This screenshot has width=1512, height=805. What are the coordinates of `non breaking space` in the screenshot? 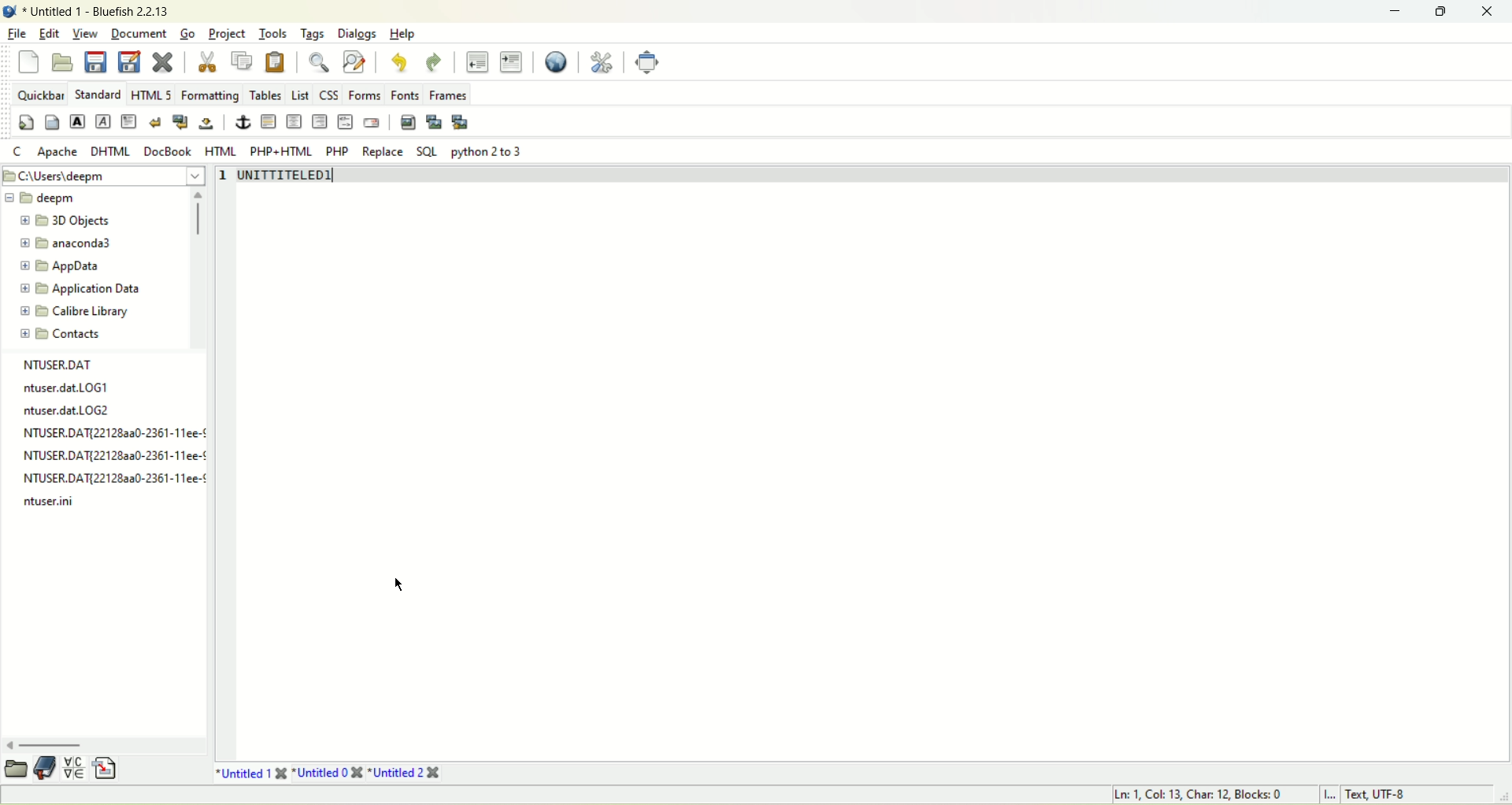 It's located at (212, 122).